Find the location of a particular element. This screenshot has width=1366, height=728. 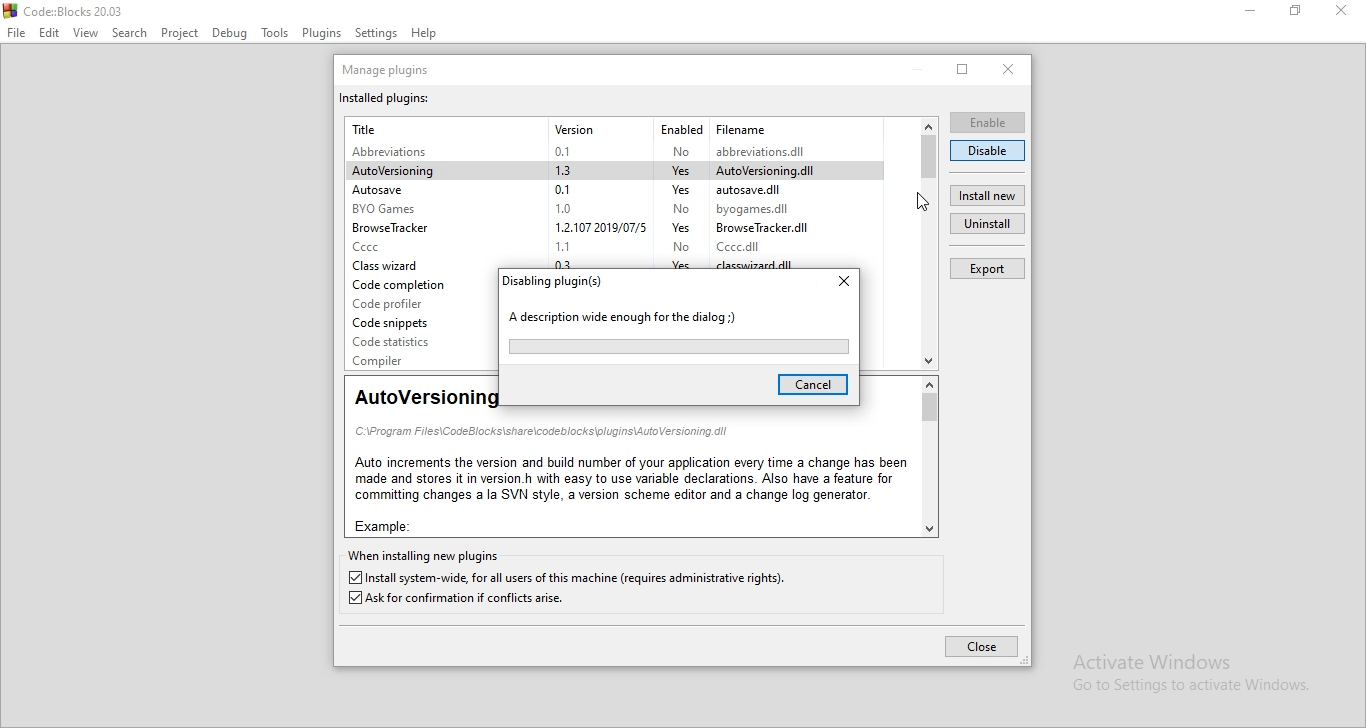

Compiler  is located at coordinates (406, 360).